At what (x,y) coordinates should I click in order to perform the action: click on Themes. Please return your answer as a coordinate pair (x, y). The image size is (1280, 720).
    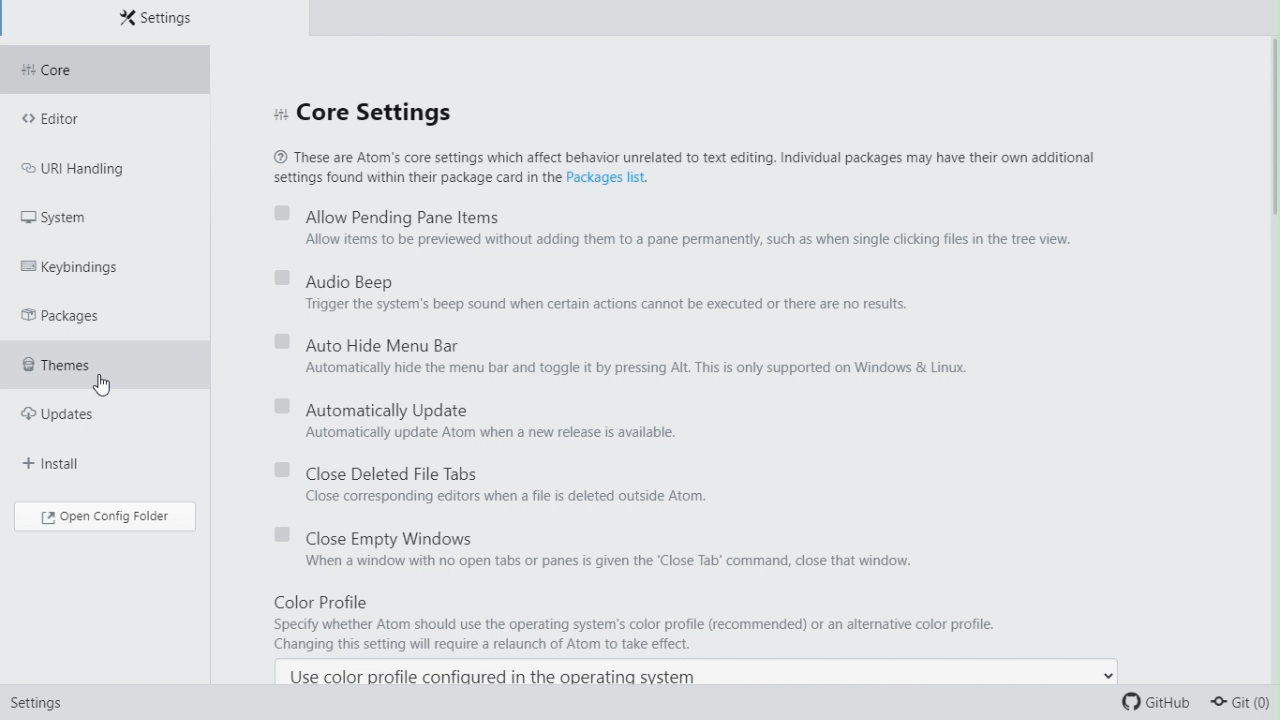
    Looking at the image, I should click on (105, 359).